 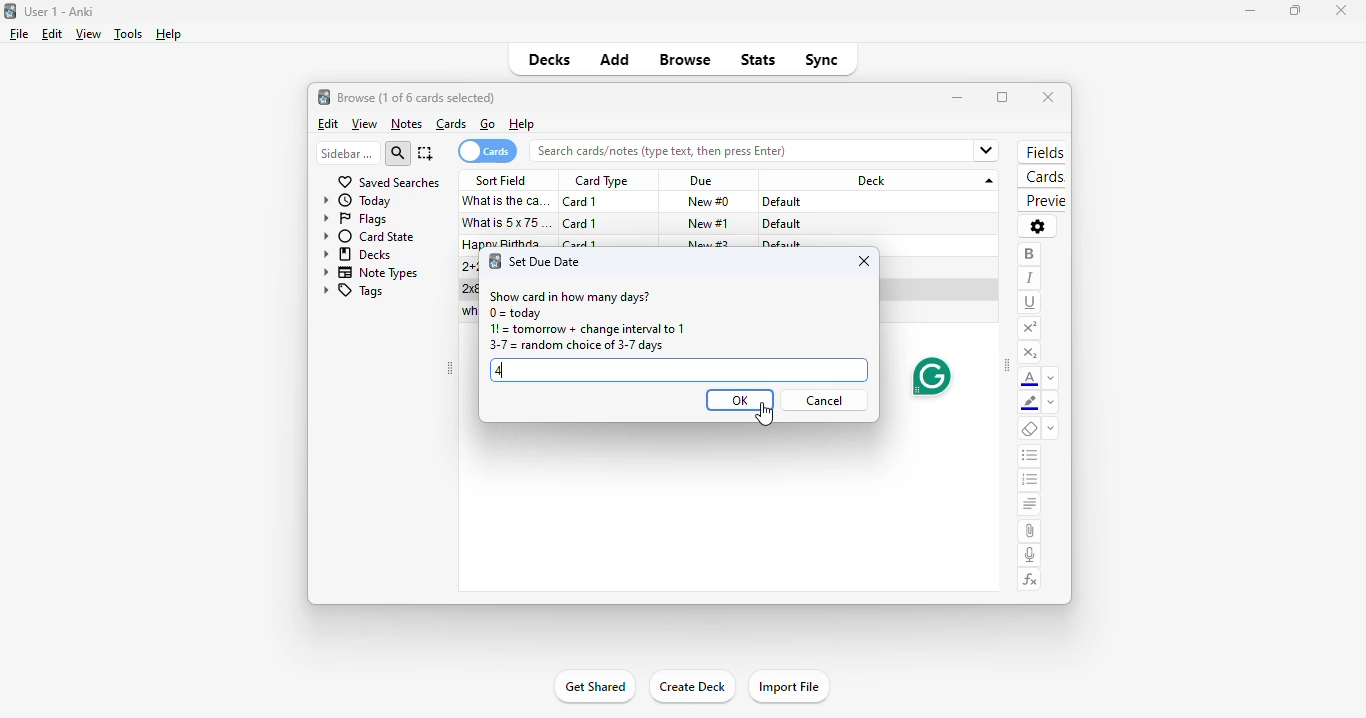 What do you see at coordinates (1037, 226) in the screenshot?
I see `options` at bounding box center [1037, 226].